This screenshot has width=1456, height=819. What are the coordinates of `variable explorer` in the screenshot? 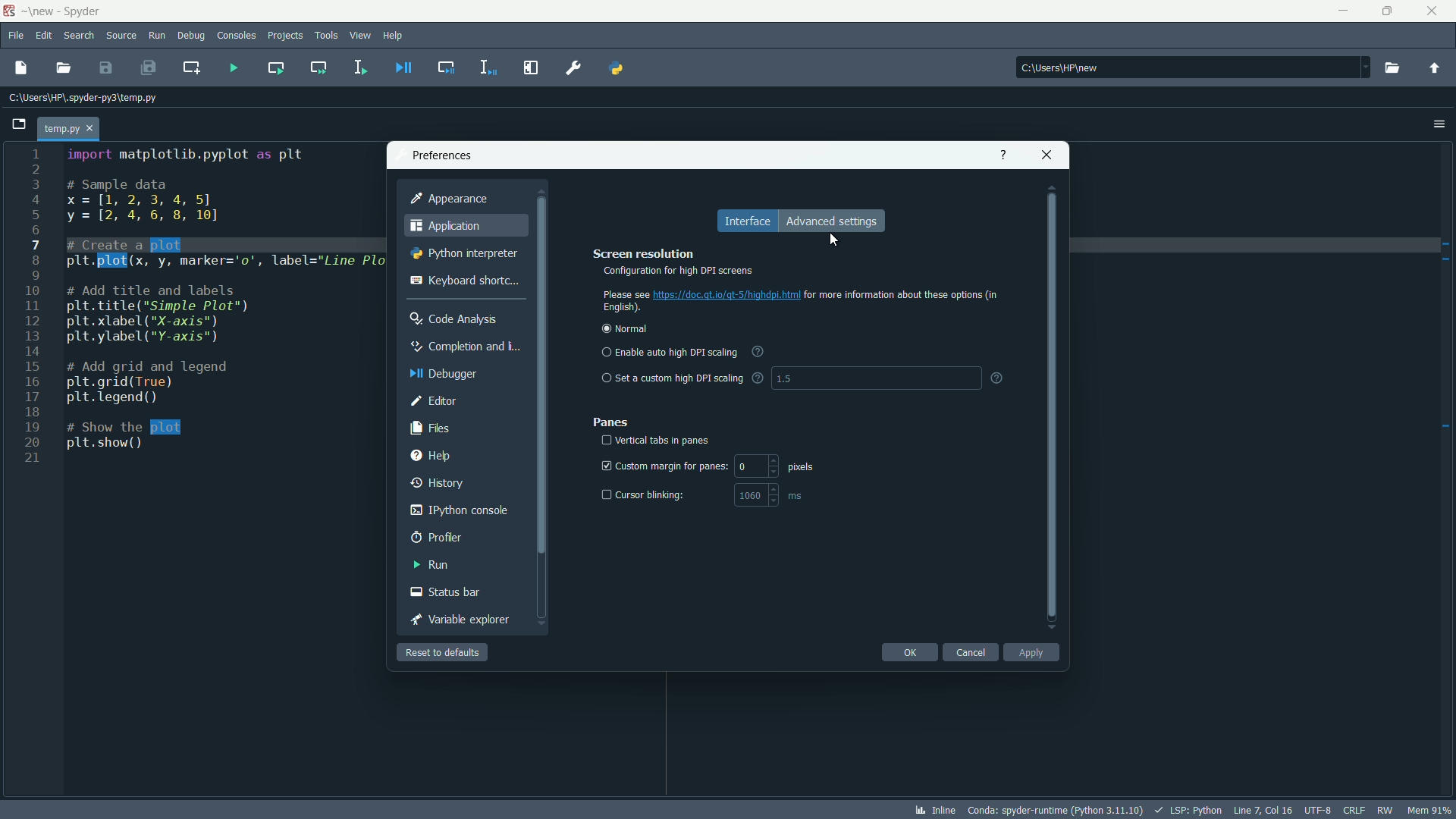 It's located at (459, 619).